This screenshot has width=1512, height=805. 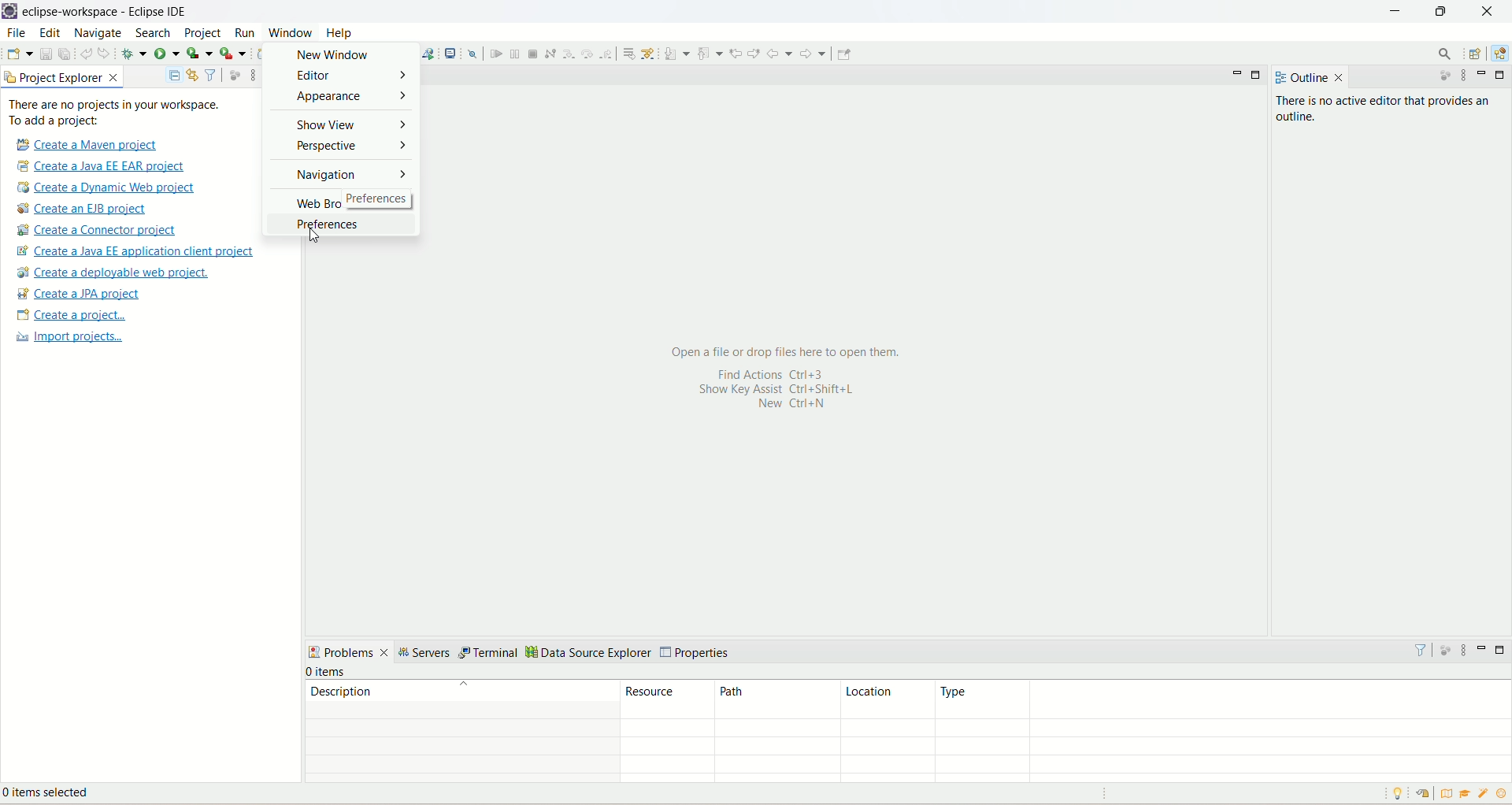 I want to click on window, so click(x=290, y=32).